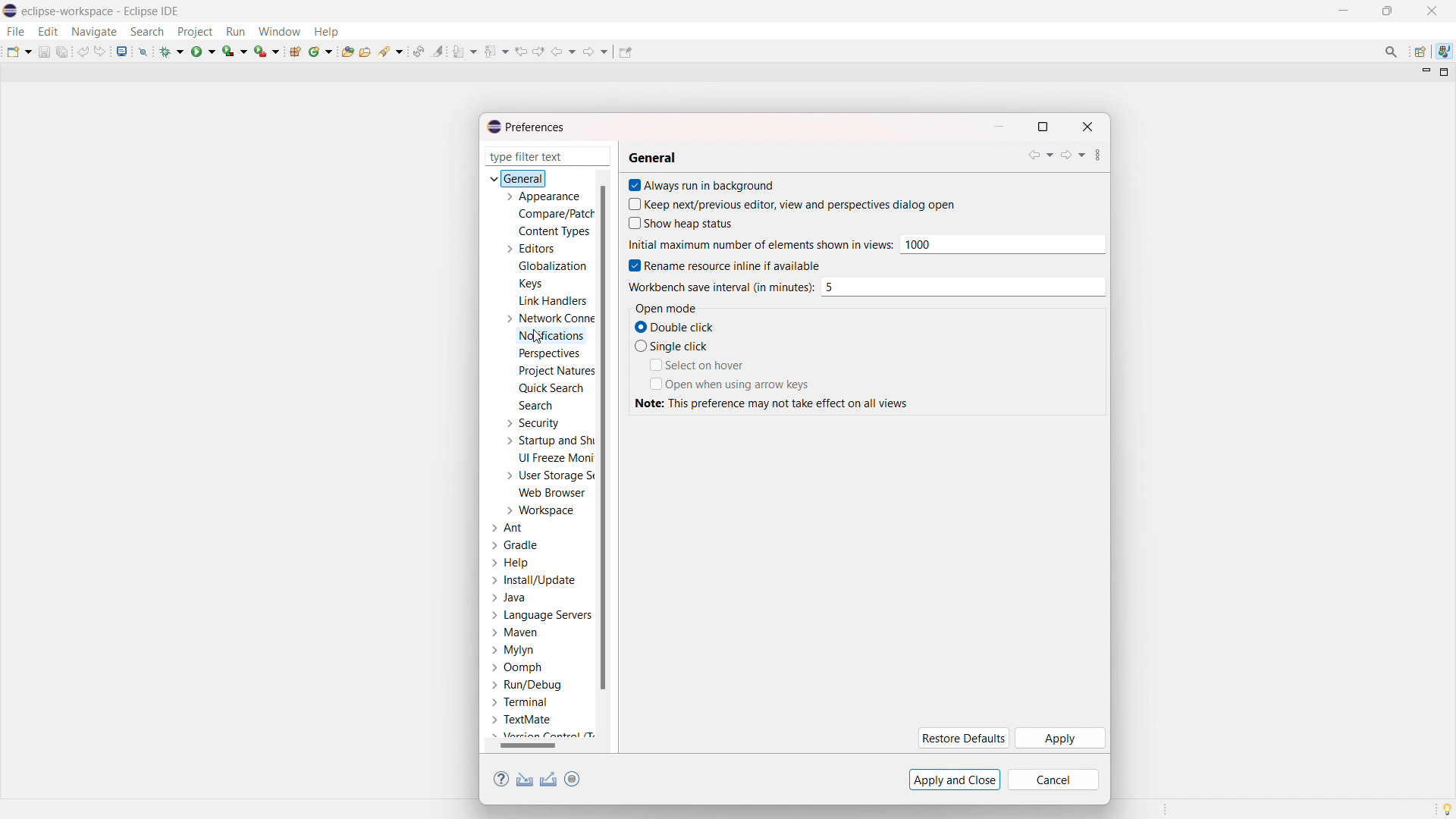 The height and width of the screenshot is (819, 1456). I want to click on language servers, so click(541, 615).